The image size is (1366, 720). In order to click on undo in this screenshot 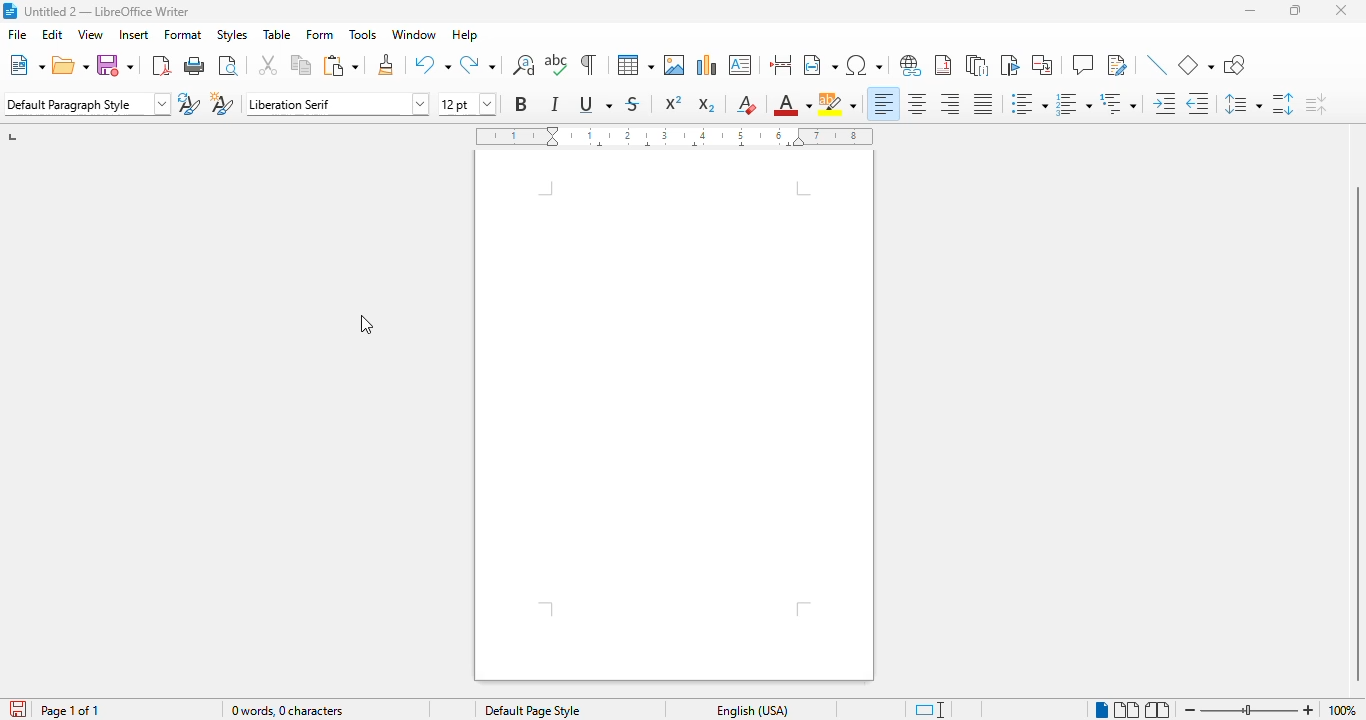, I will do `click(433, 66)`.